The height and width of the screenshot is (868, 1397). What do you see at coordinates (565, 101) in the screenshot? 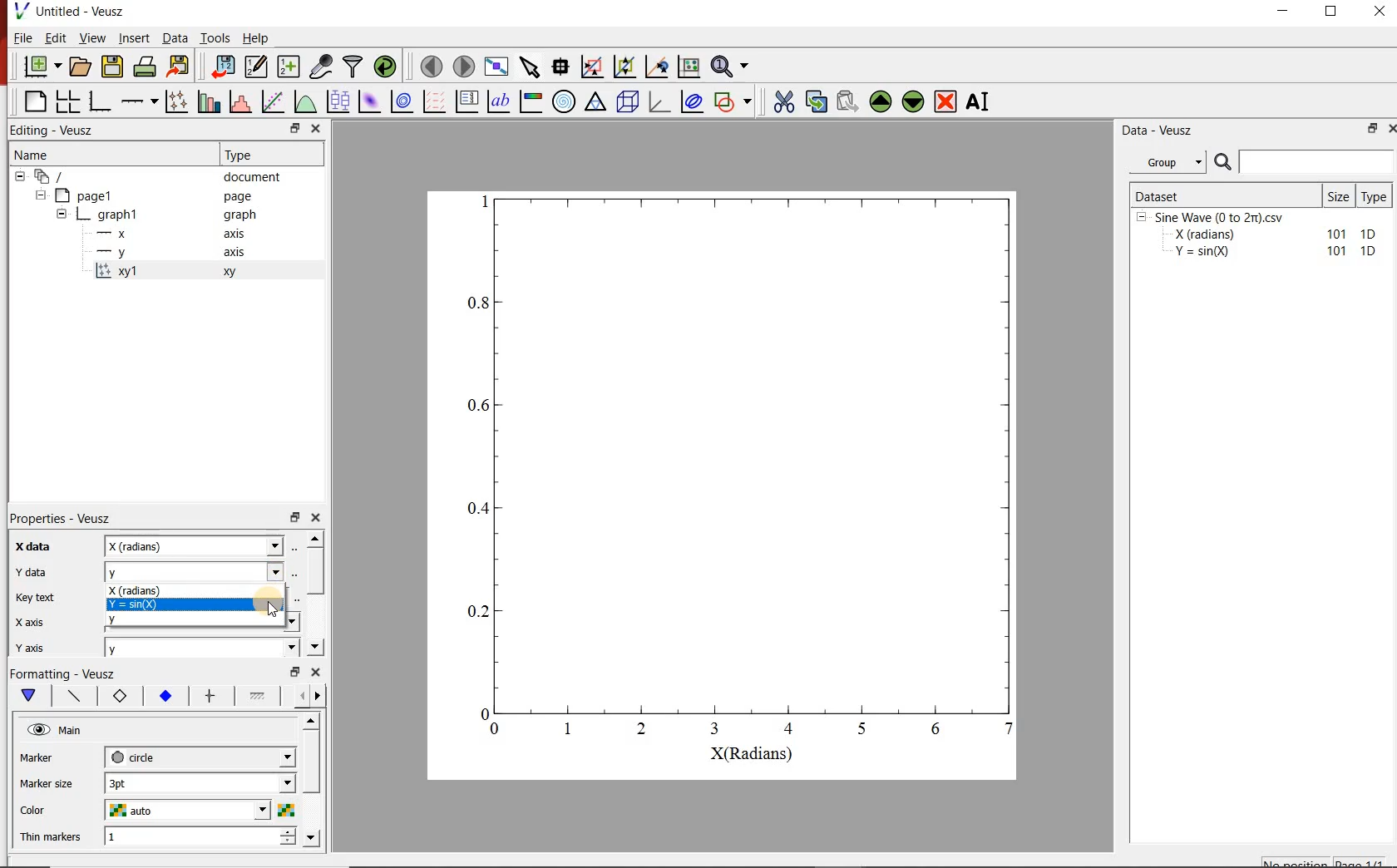
I see `Polar graph` at bounding box center [565, 101].